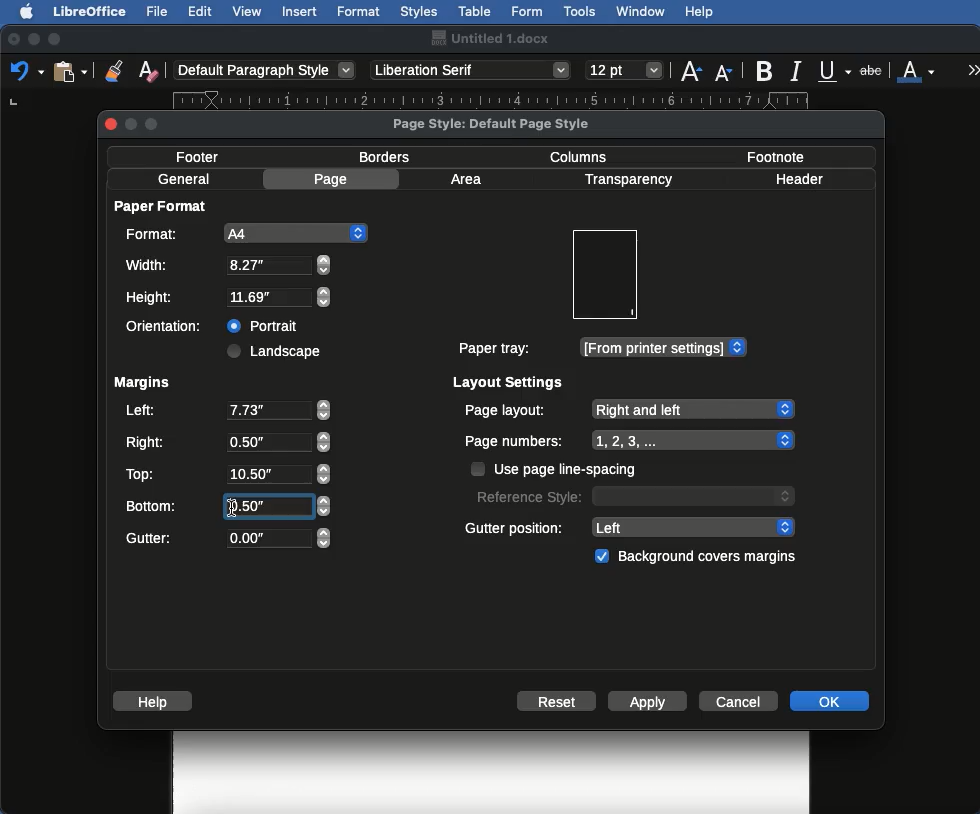  What do you see at coordinates (628, 409) in the screenshot?
I see `Page layout` at bounding box center [628, 409].